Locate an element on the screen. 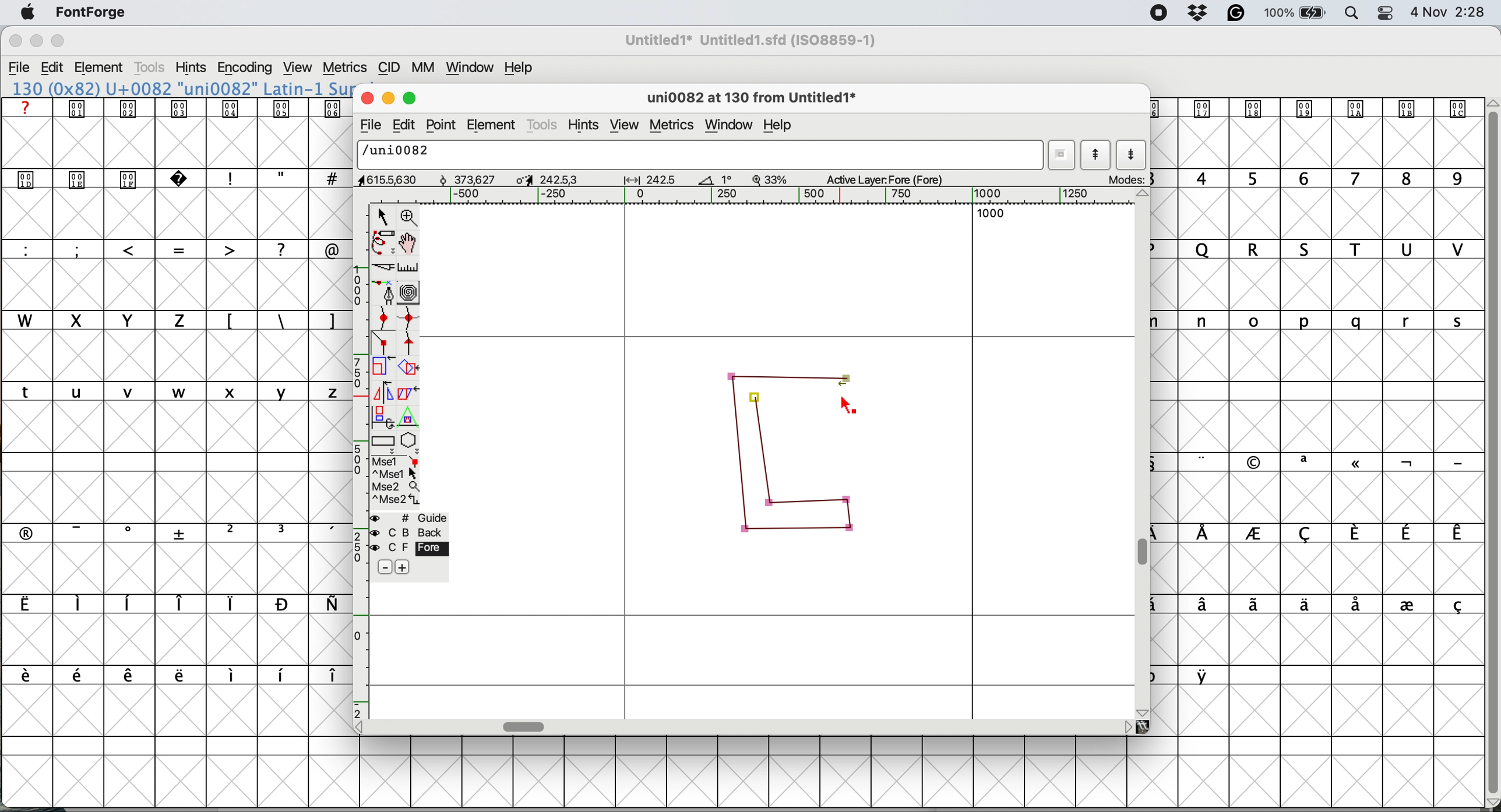 The width and height of the screenshot is (1501, 812). rectangles and ellipses is located at coordinates (385, 443).